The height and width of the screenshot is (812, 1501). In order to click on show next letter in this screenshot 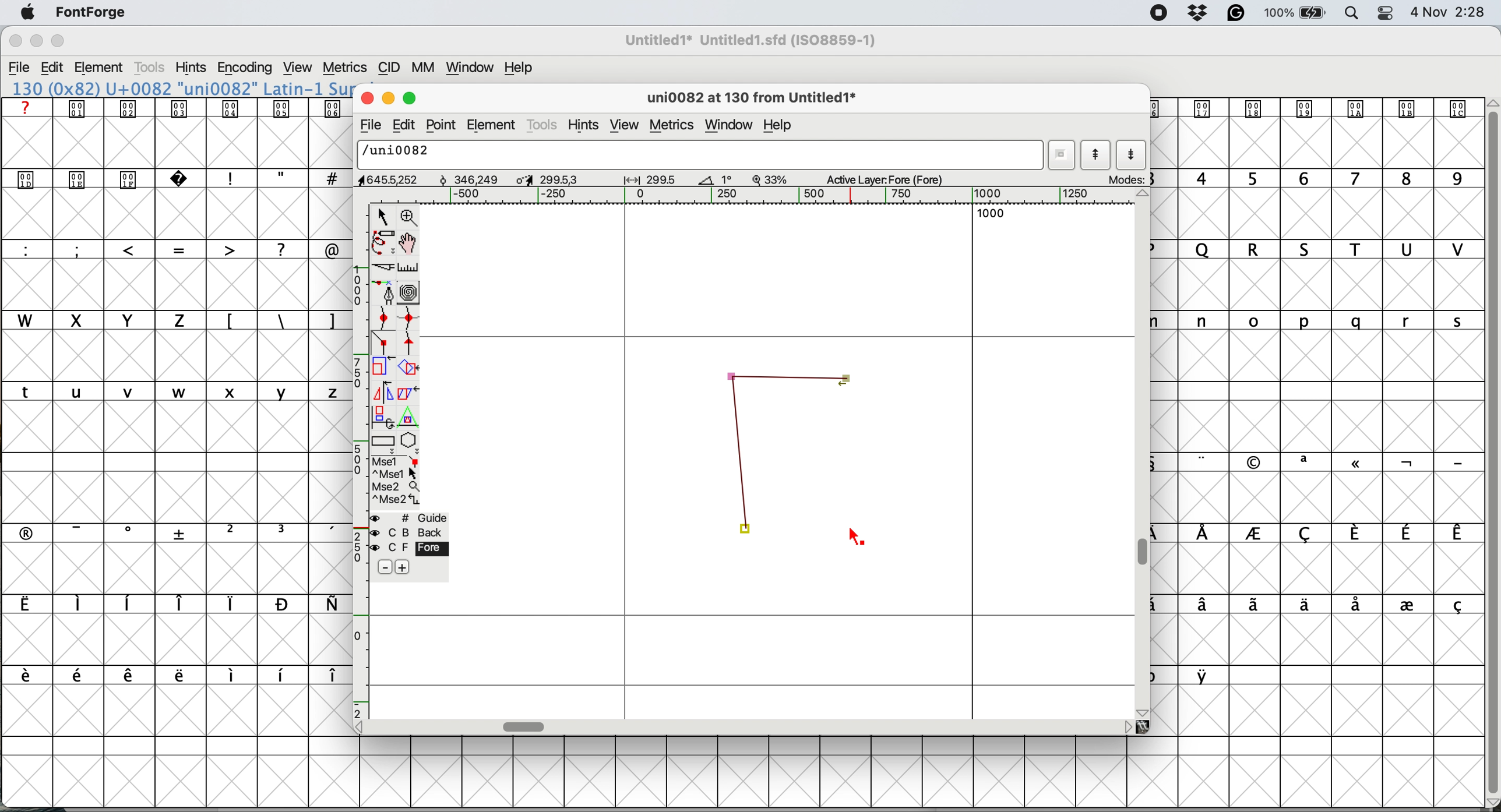, I will do `click(1132, 155)`.